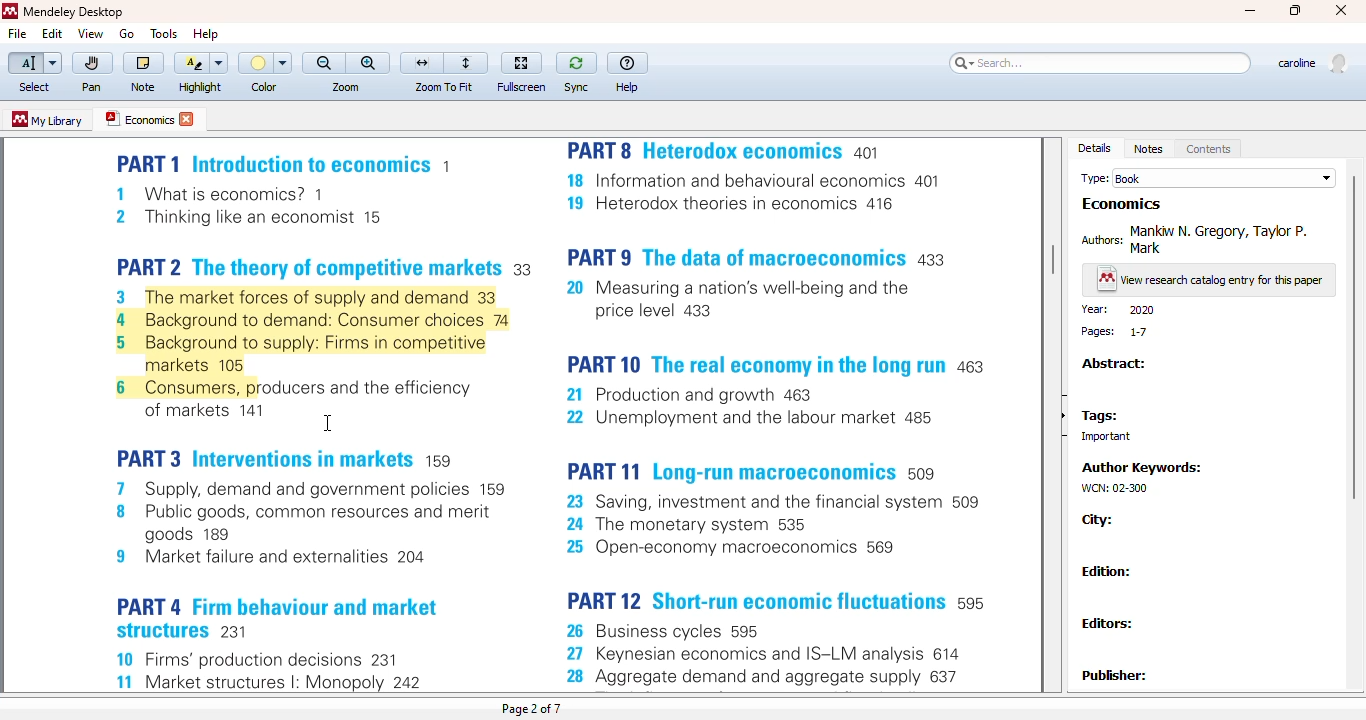 The width and height of the screenshot is (1366, 720). What do you see at coordinates (1095, 148) in the screenshot?
I see `details` at bounding box center [1095, 148].